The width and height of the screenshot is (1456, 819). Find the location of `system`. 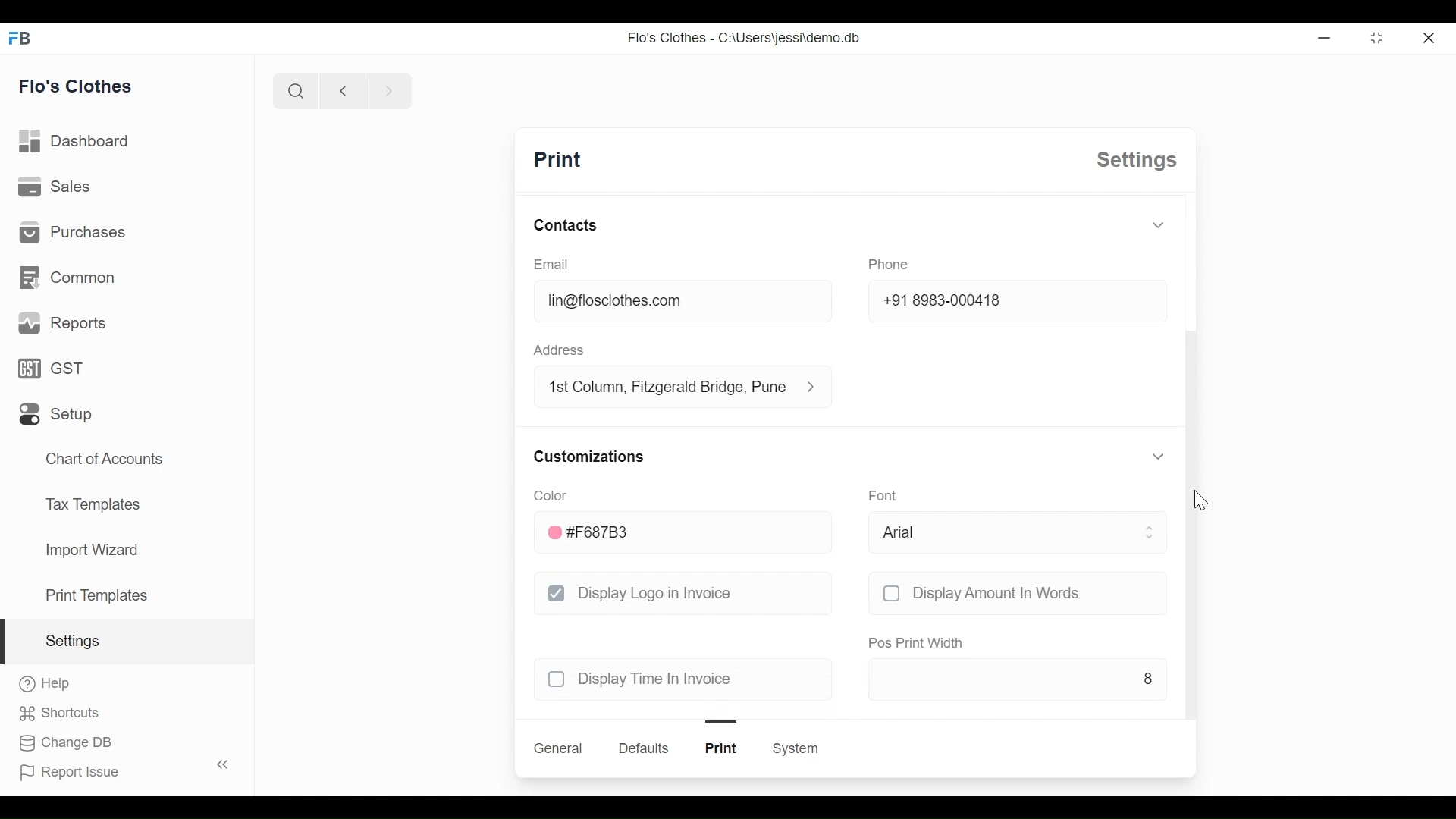

system is located at coordinates (795, 748).